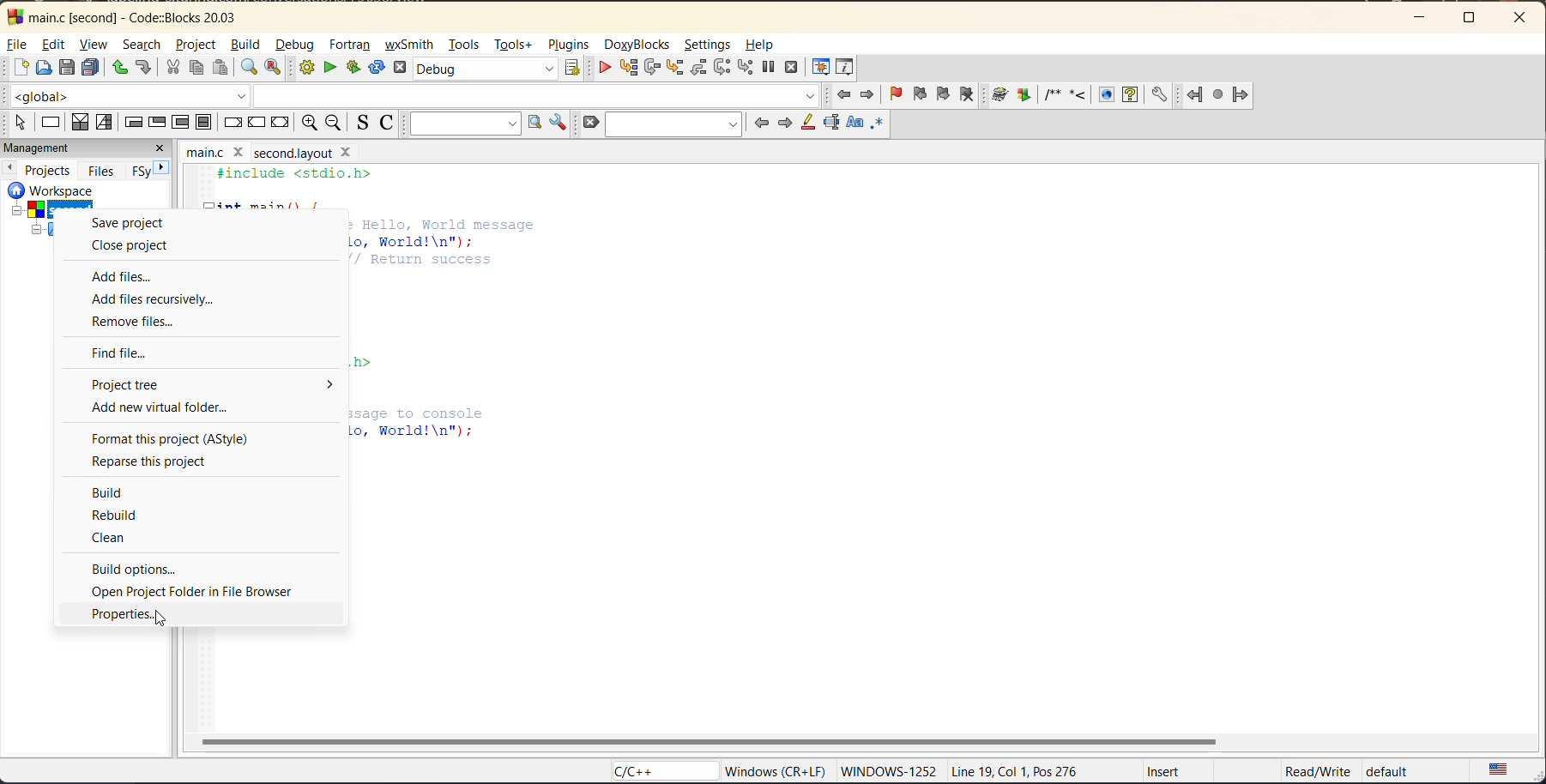 The height and width of the screenshot is (784, 1546). What do you see at coordinates (830, 125) in the screenshot?
I see `selected text` at bounding box center [830, 125].